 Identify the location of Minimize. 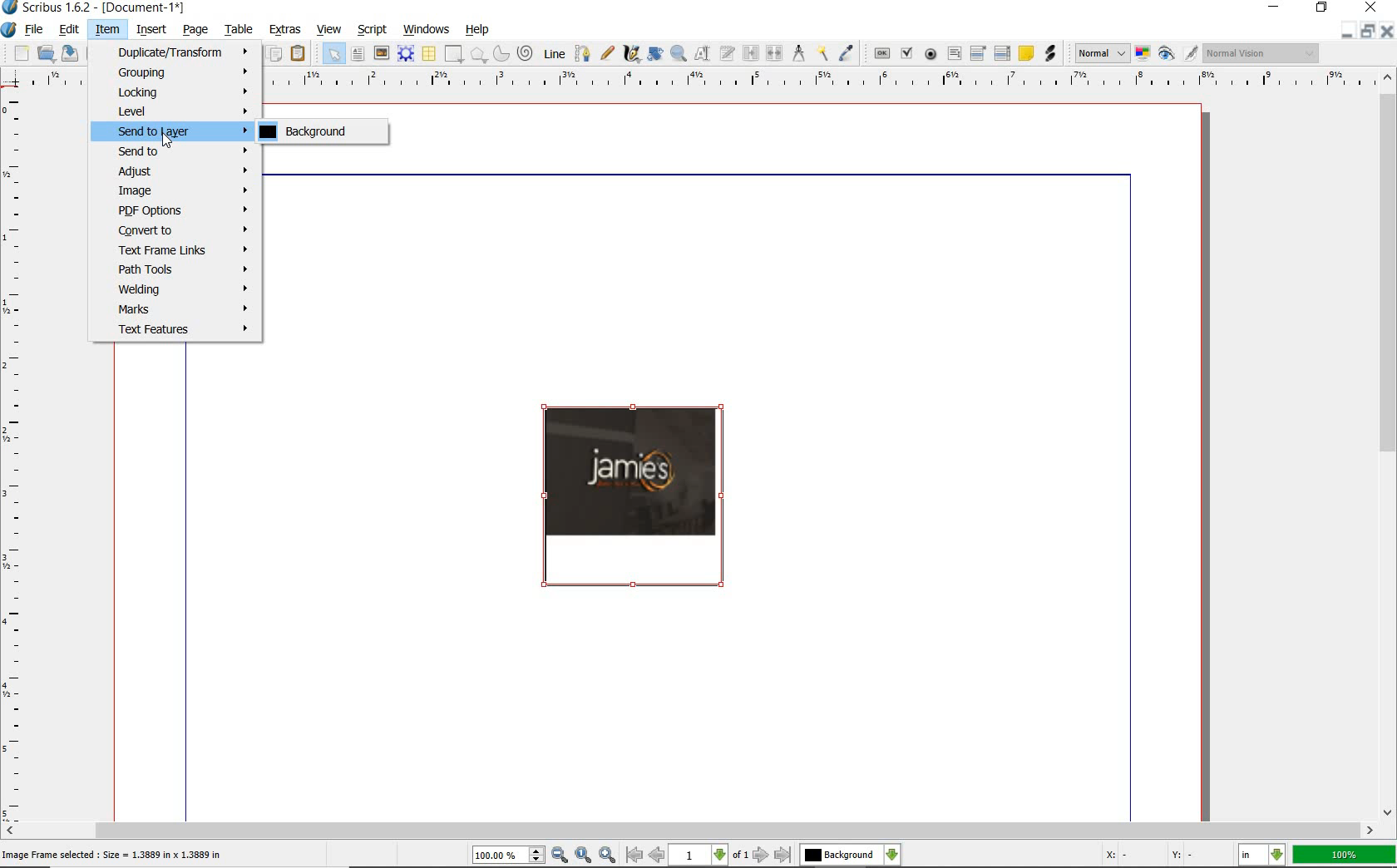
(1365, 31).